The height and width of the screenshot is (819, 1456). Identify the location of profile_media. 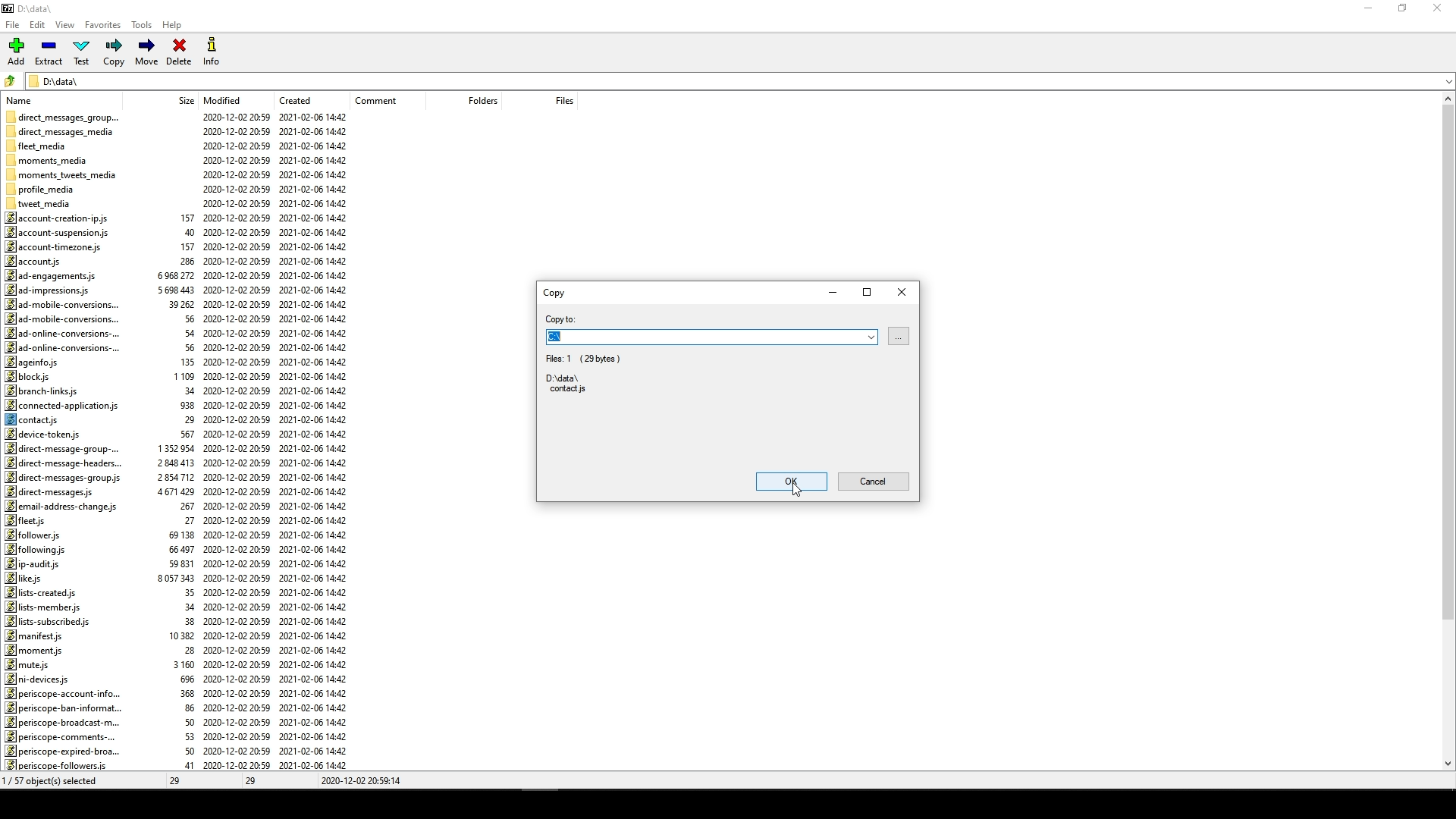
(42, 190).